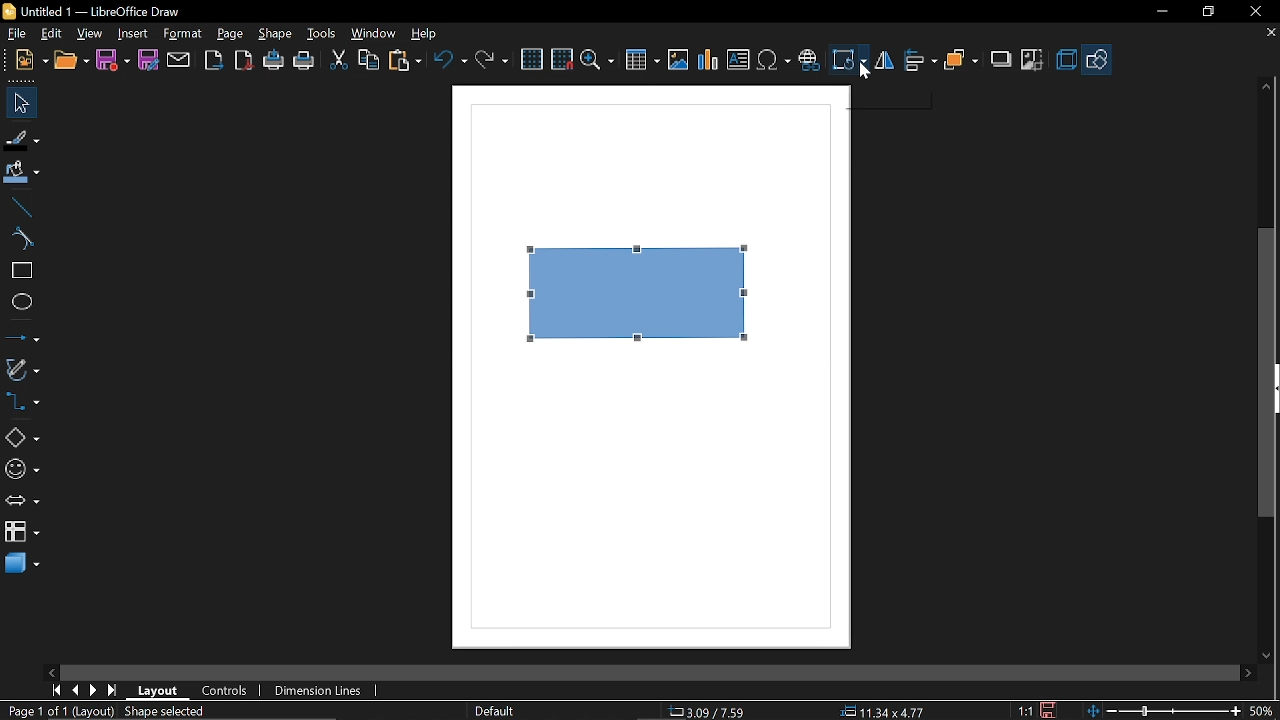 This screenshot has height=720, width=1280. Describe the element at coordinates (876, 712) in the screenshot. I see `0.00x0.00` at that location.